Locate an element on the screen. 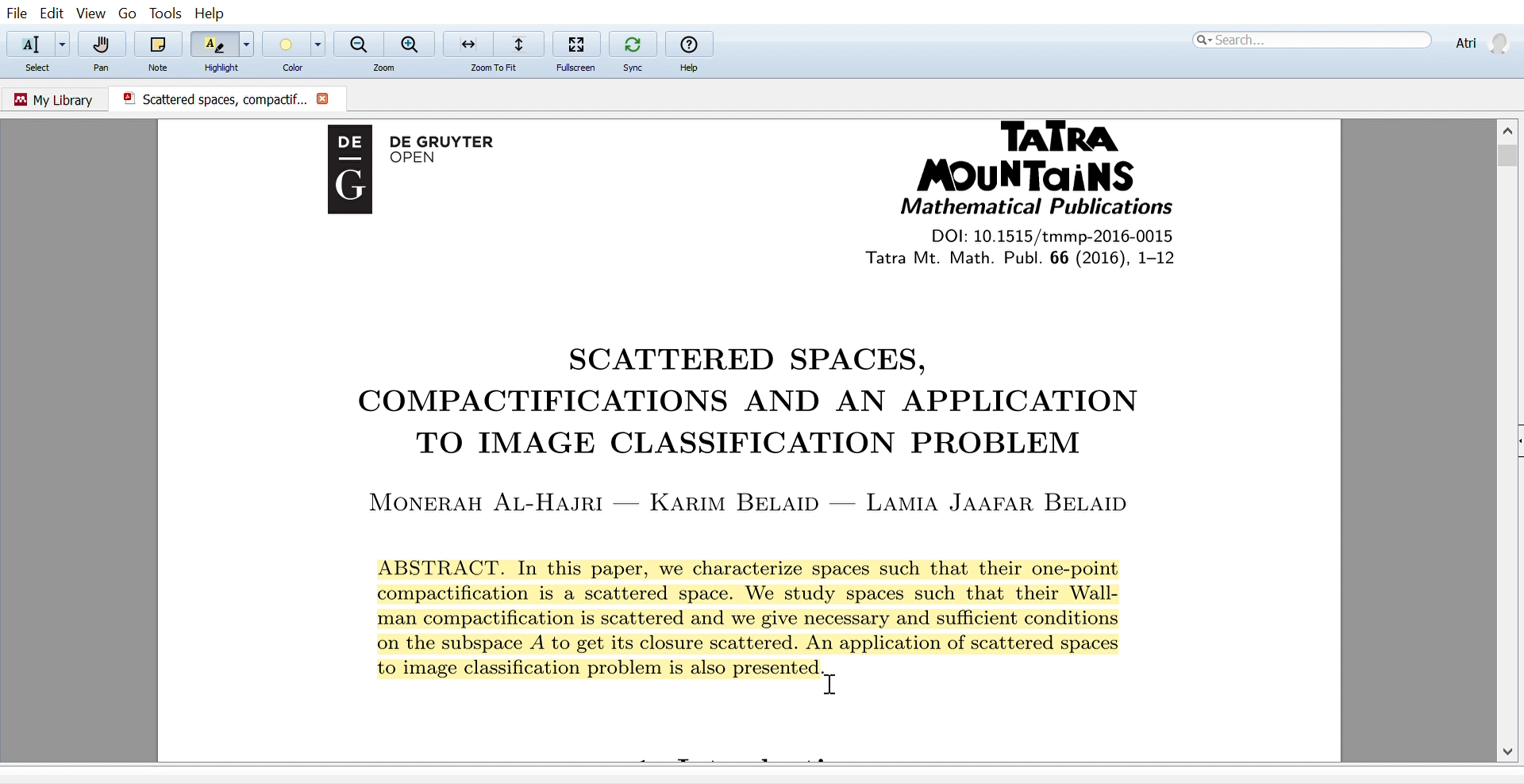 This screenshot has height=784, width=1524. Highlight options is located at coordinates (250, 44).